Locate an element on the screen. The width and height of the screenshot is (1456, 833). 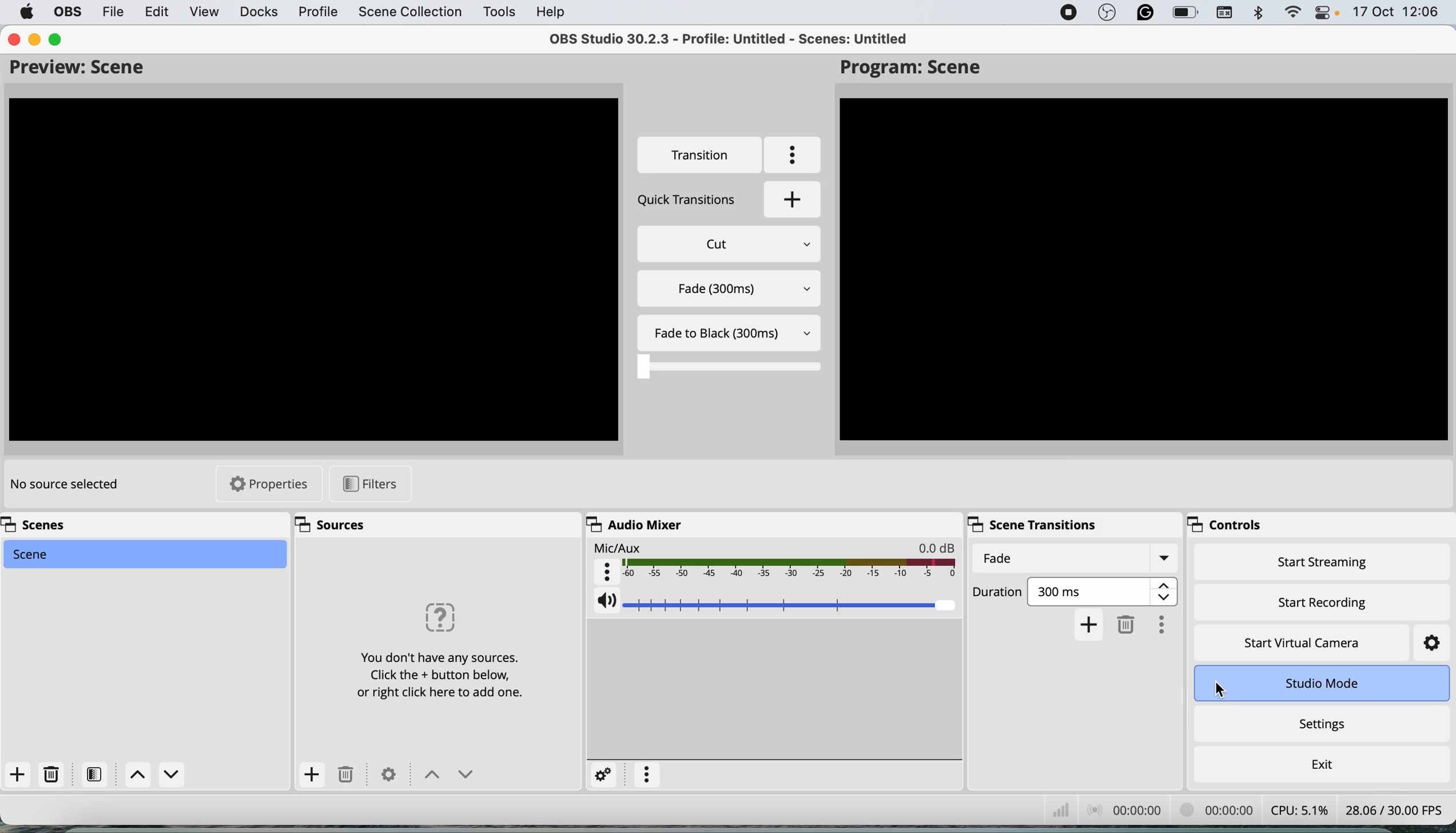
settings is located at coordinates (1431, 642).